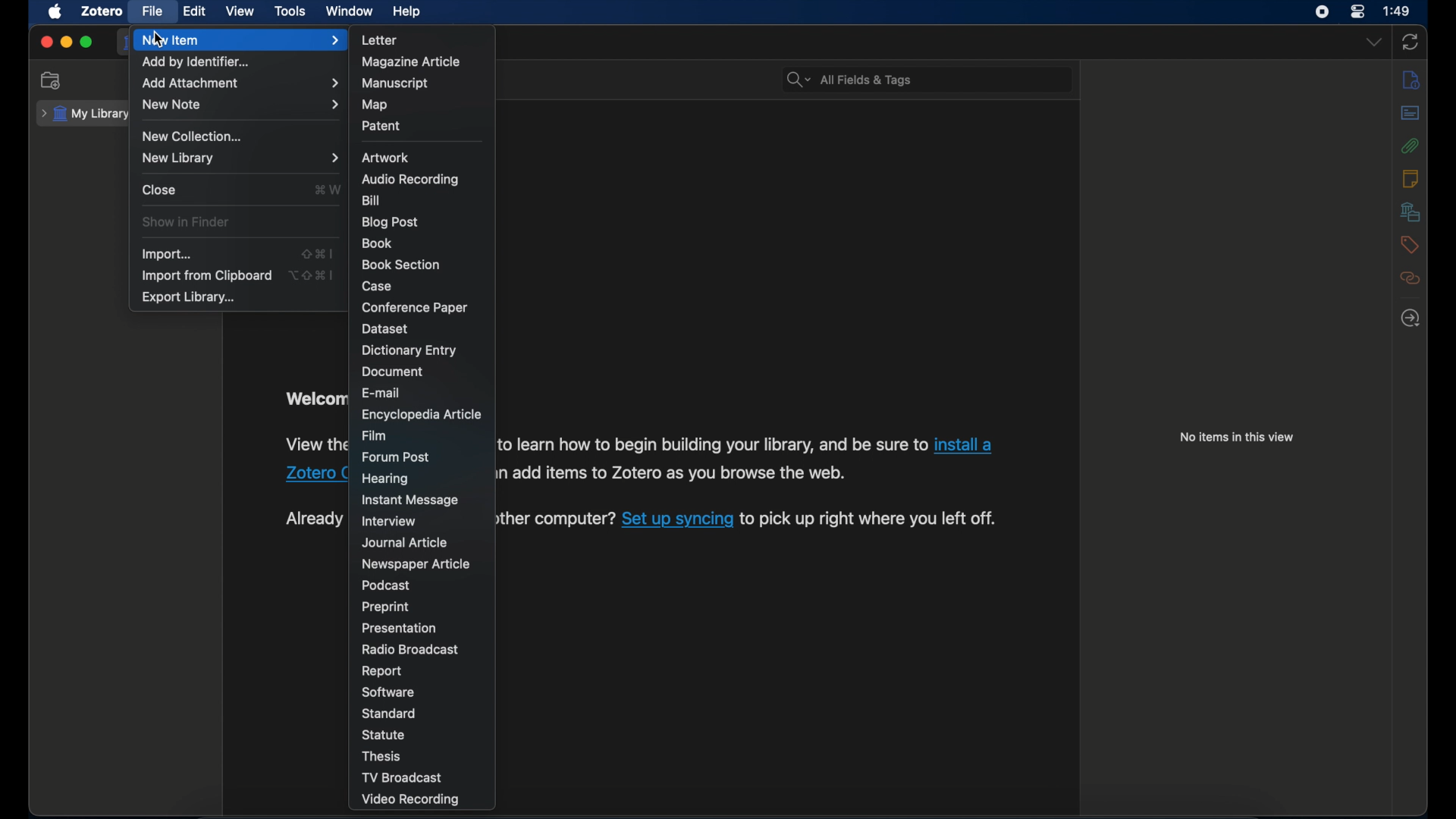 This screenshot has width=1456, height=819. Describe the element at coordinates (413, 180) in the screenshot. I see `audio recording` at that location.